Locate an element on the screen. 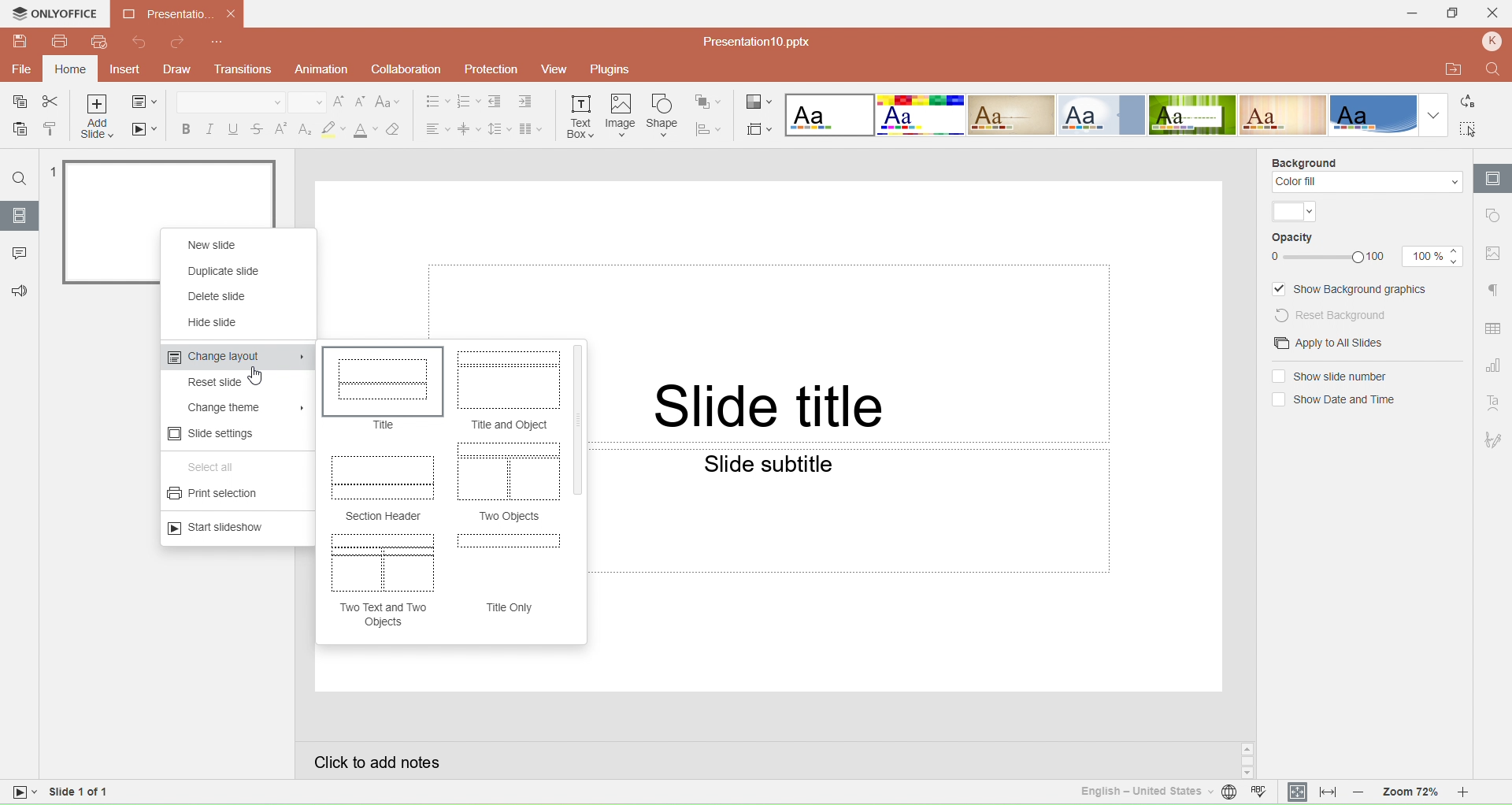 The height and width of the screenshot is (805, 1512). Undo is located at coordinates (143, 43).